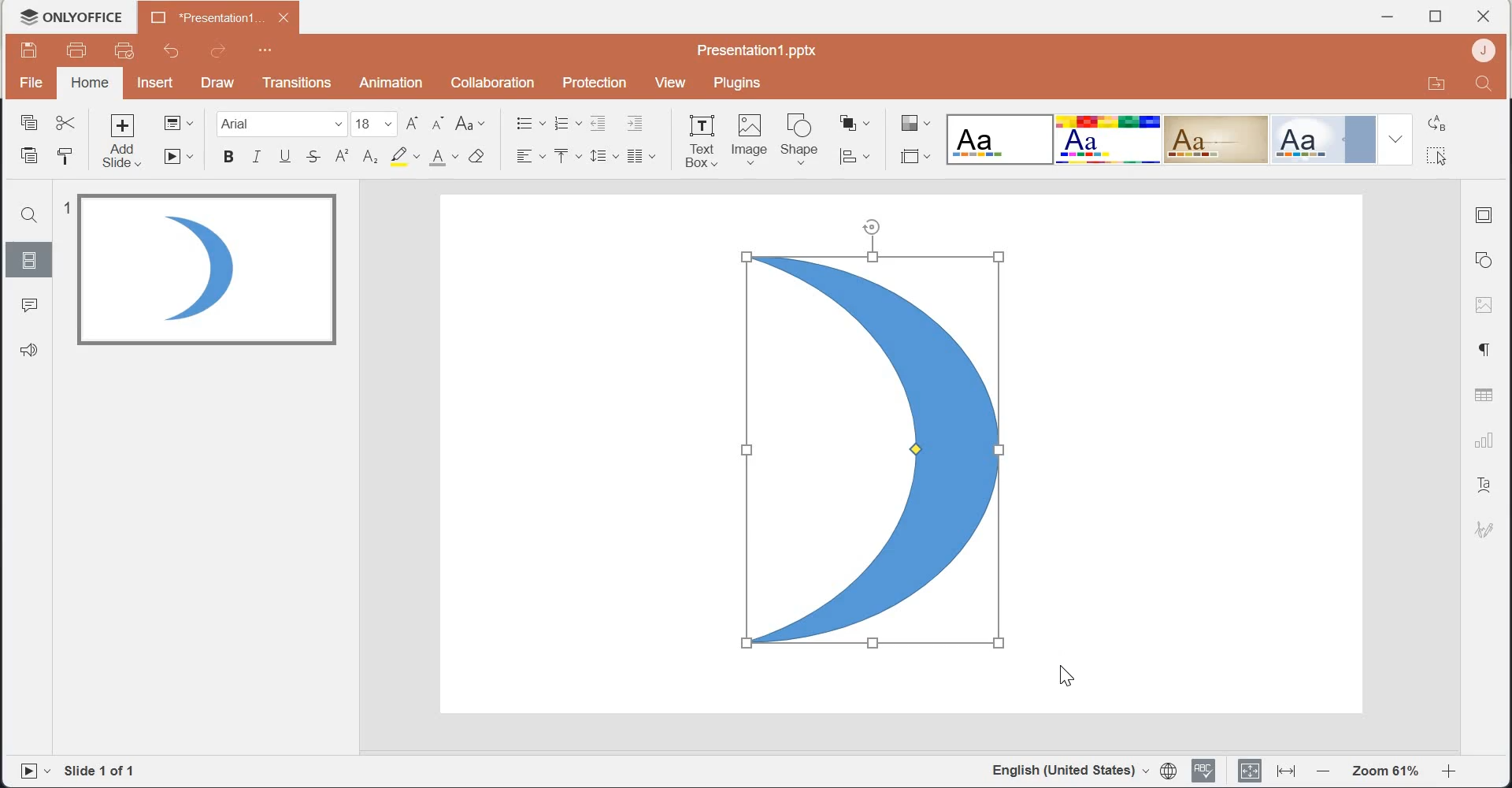 The height and width of the screenshot is (788, 1512). What do you see at coordinates (634, 124) in the screenshot?
I see `Increase Indent` at bounding box center [634, 124].